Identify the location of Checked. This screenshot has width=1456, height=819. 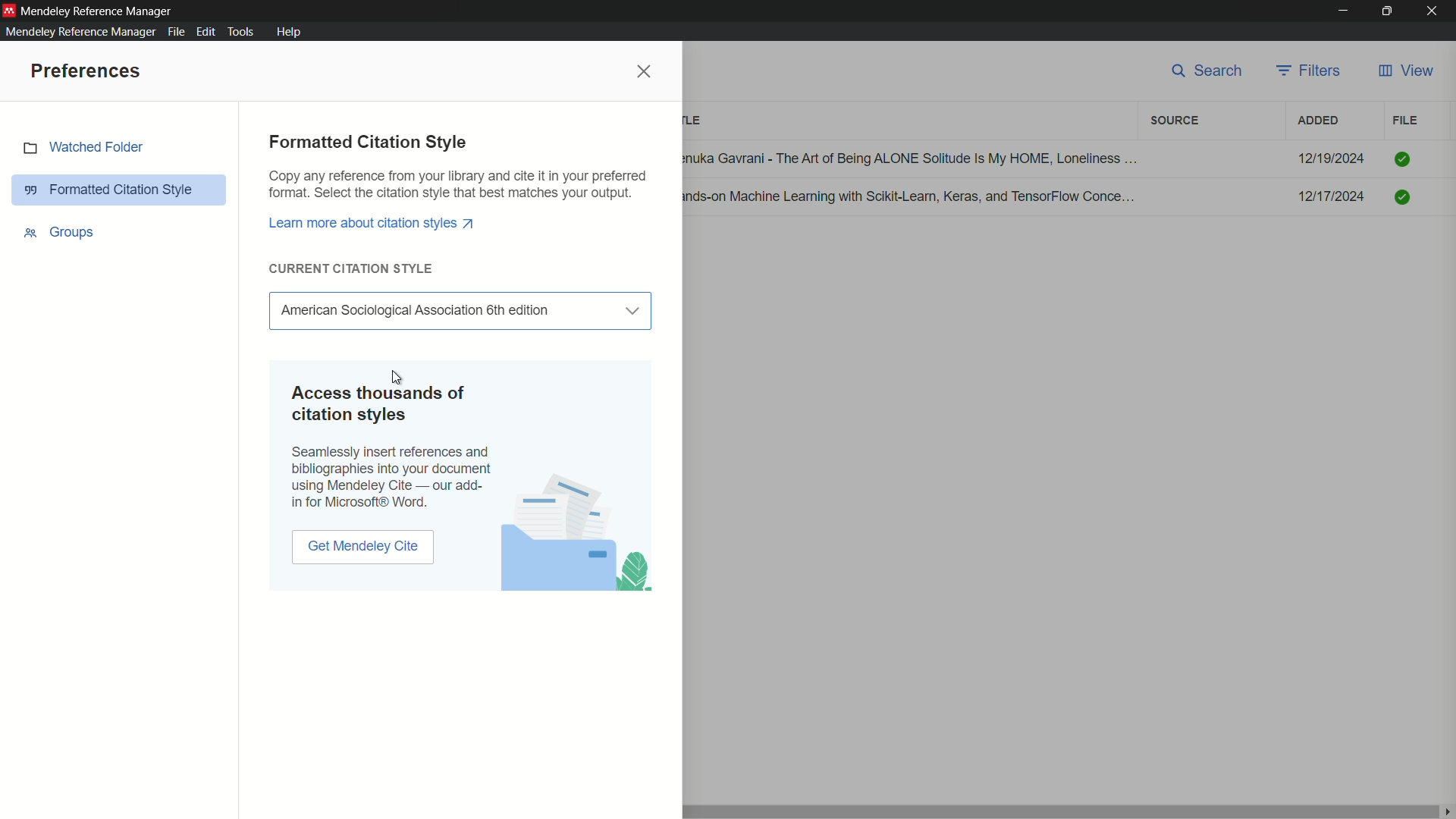
(1402, 195).